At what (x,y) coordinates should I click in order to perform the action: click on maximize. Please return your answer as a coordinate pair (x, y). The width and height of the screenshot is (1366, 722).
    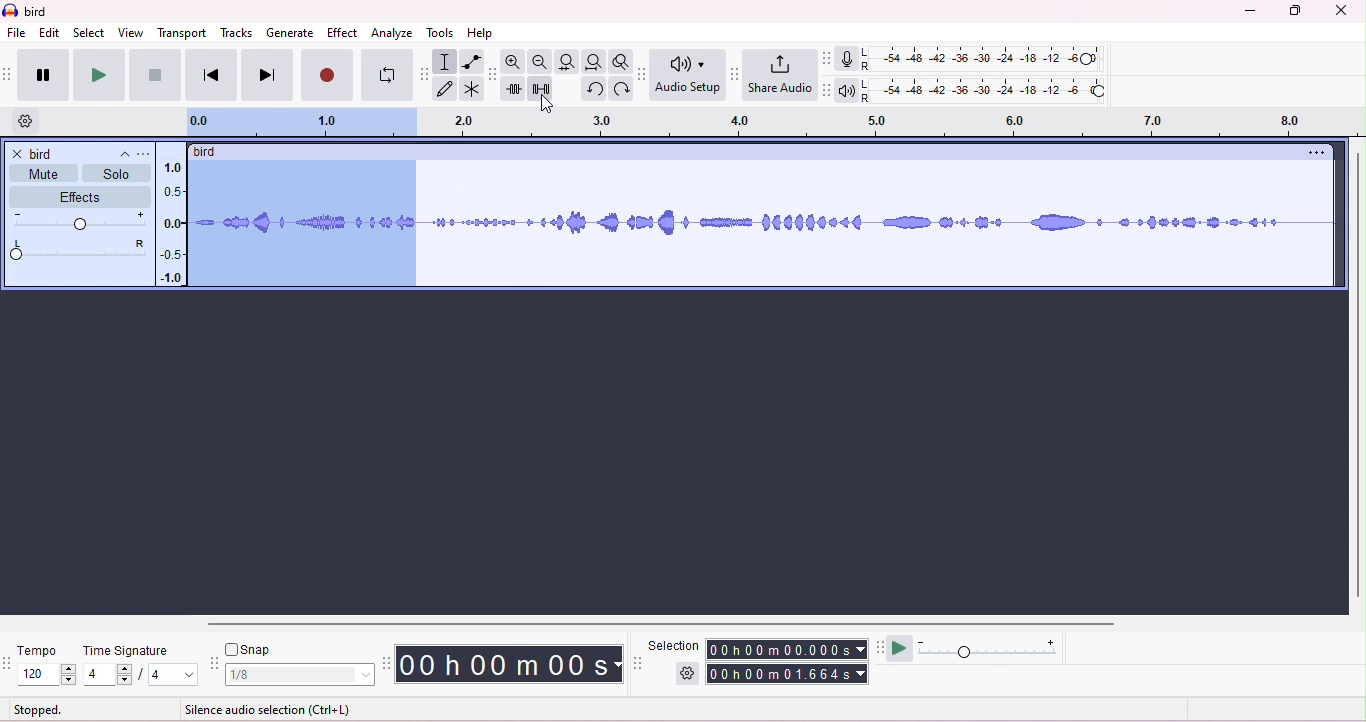
    Looking at the image, I should click on (1293, 11).